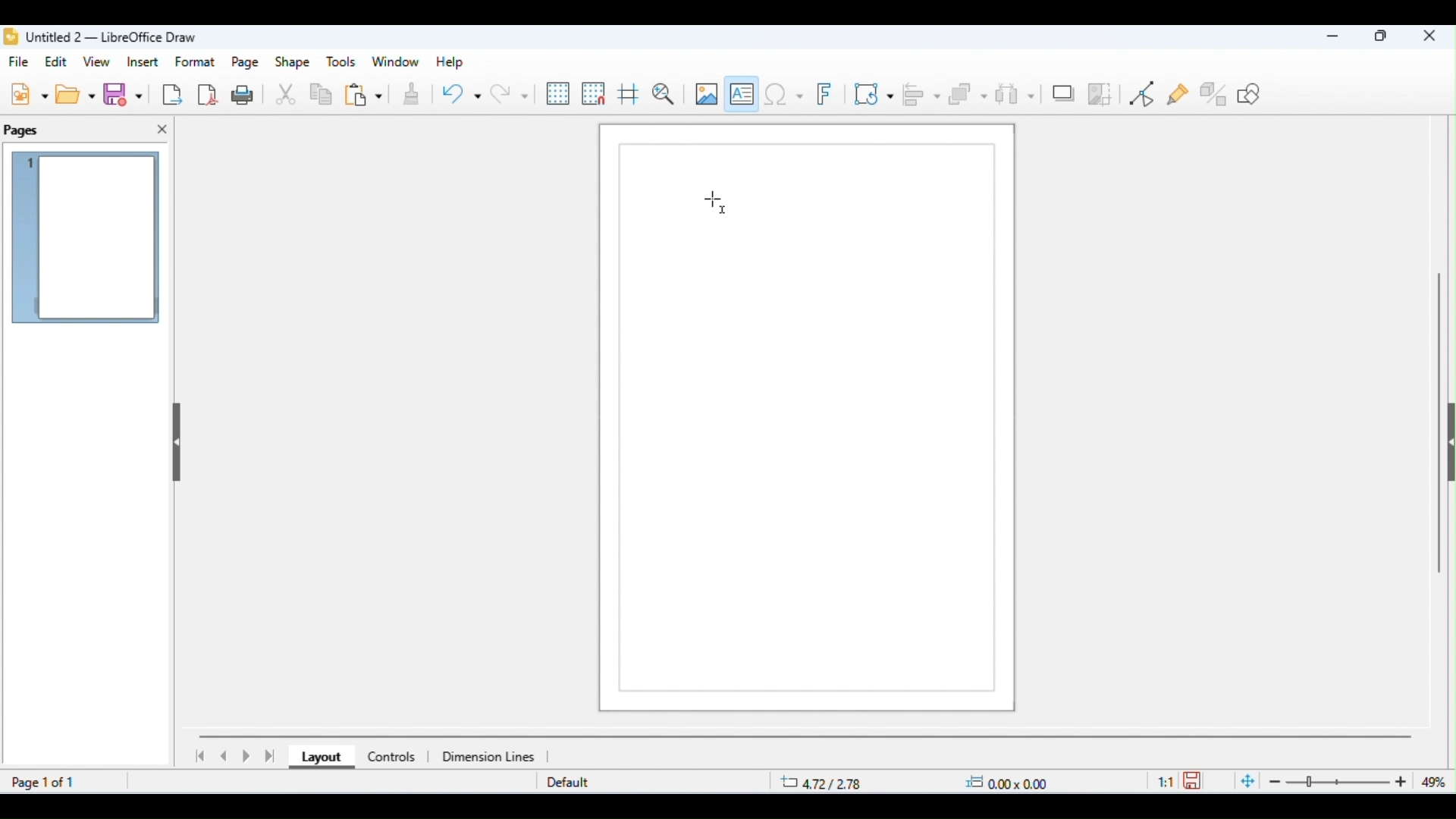 Image resolution: width=1456 pixels, height=819 pixels. I want to click on format, so click(196, 61).